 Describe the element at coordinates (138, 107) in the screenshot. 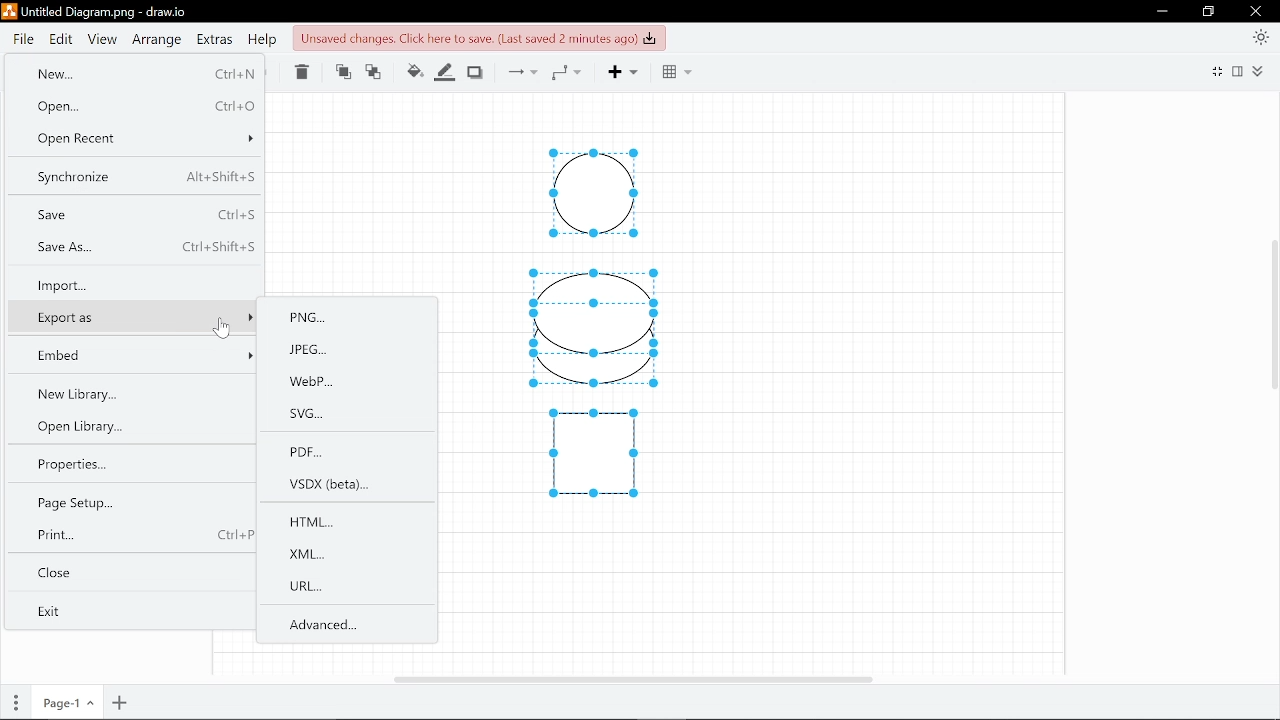

I see `Open` at that location.